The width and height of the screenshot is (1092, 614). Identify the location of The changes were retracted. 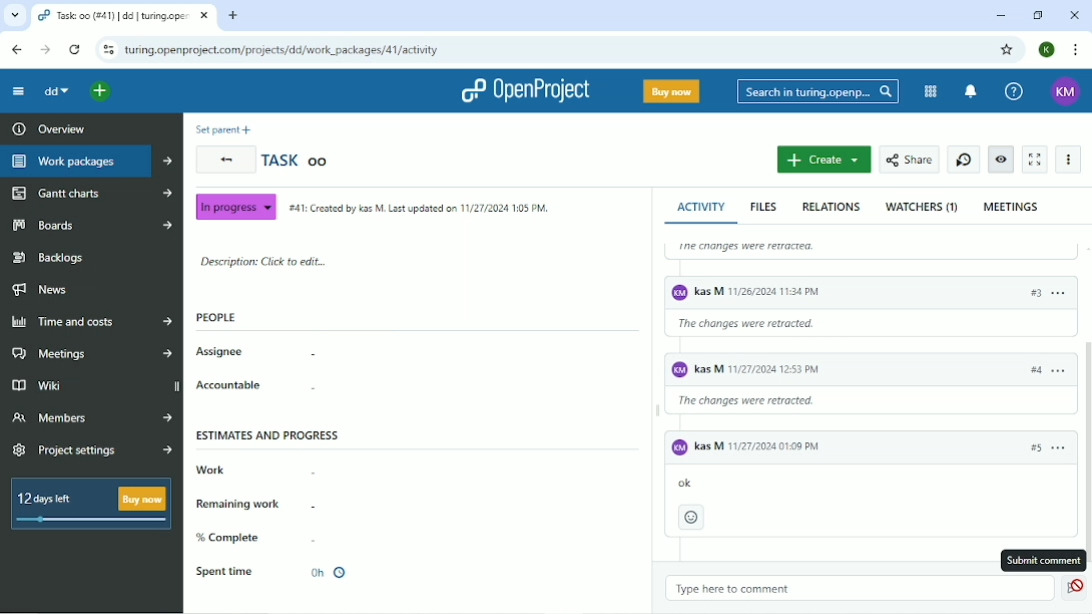
(805, 247).